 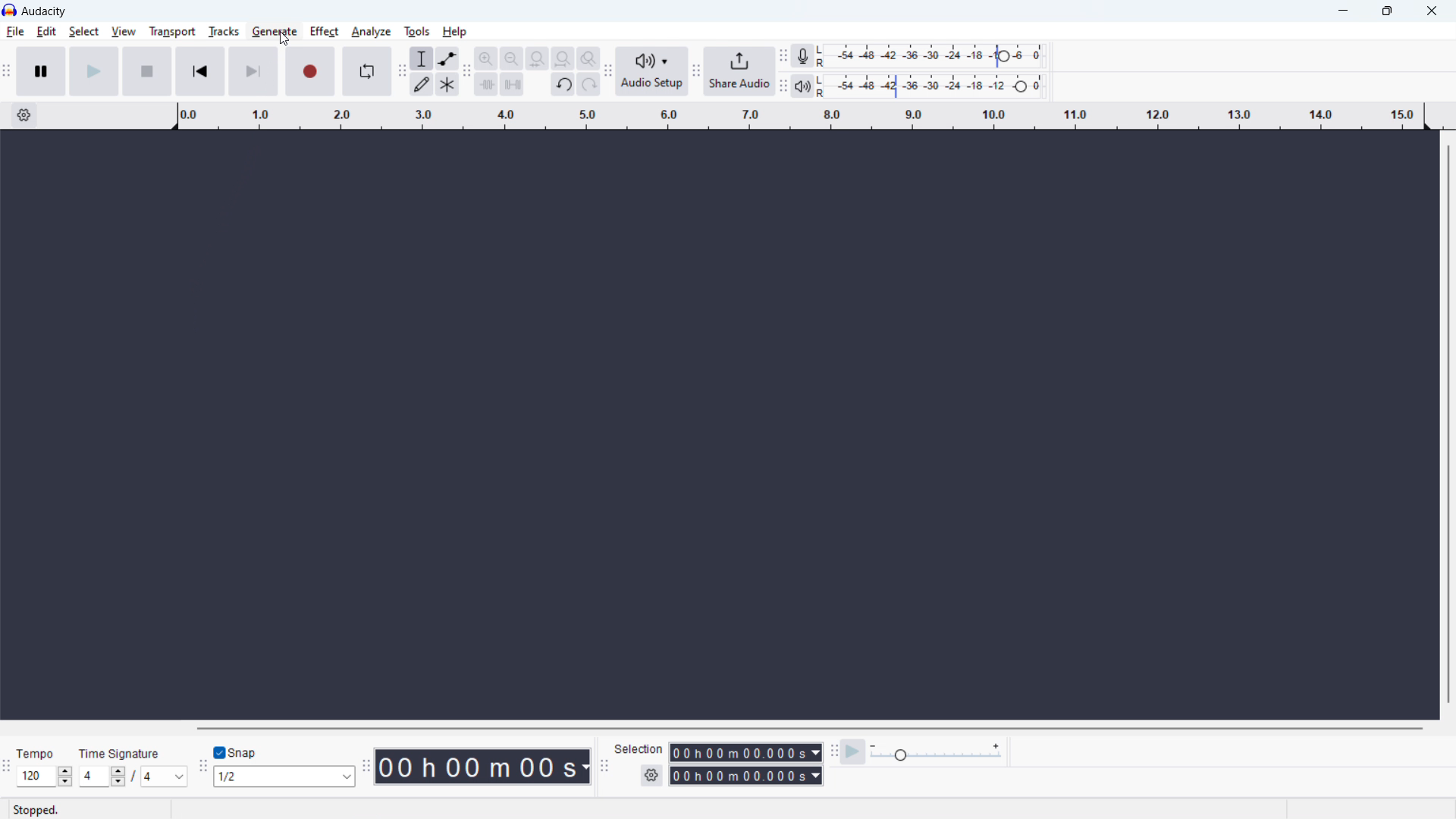 I want to click on share audio, so click(x=740, y=71).